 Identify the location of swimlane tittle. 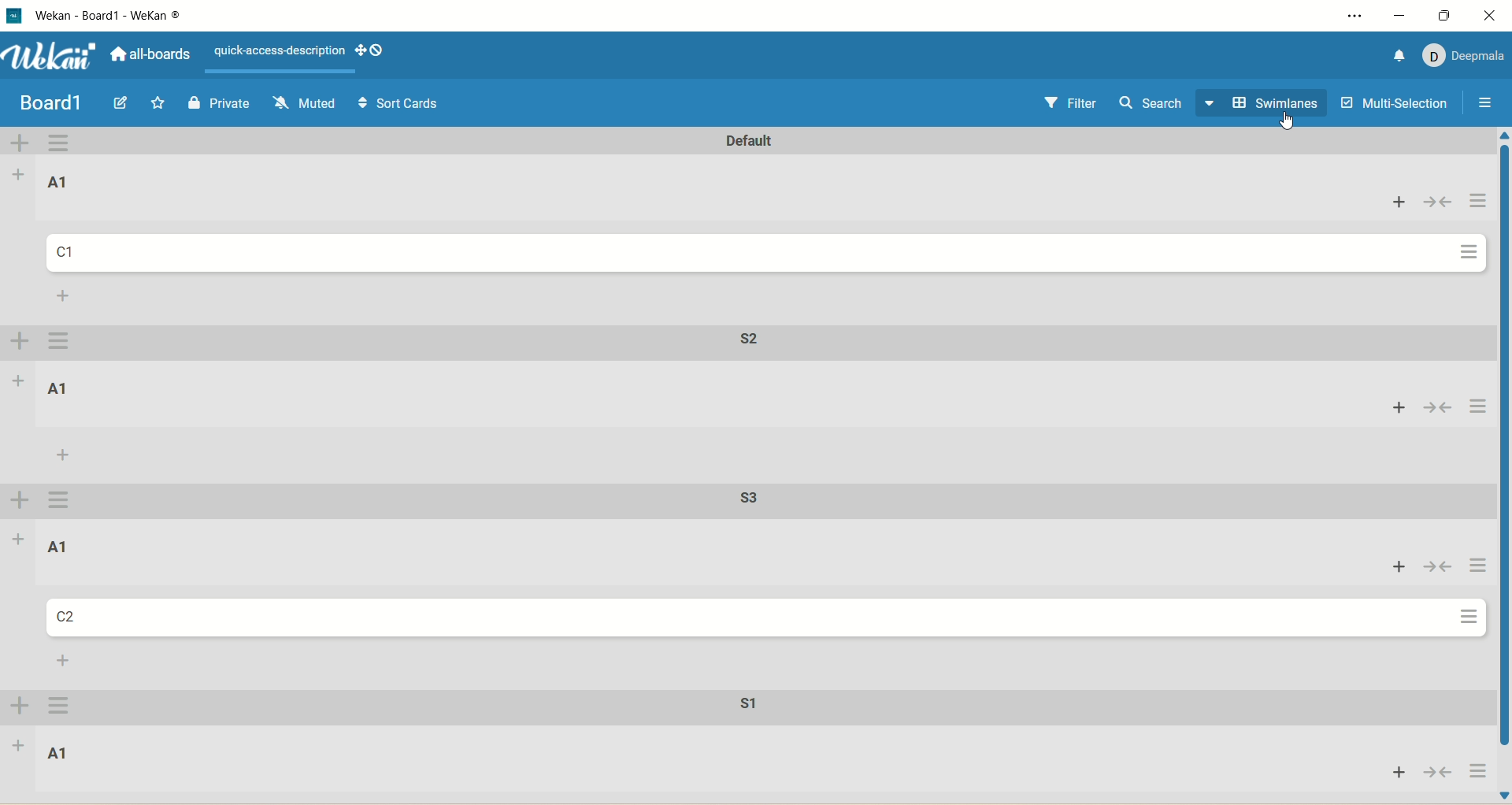
(743, 339).